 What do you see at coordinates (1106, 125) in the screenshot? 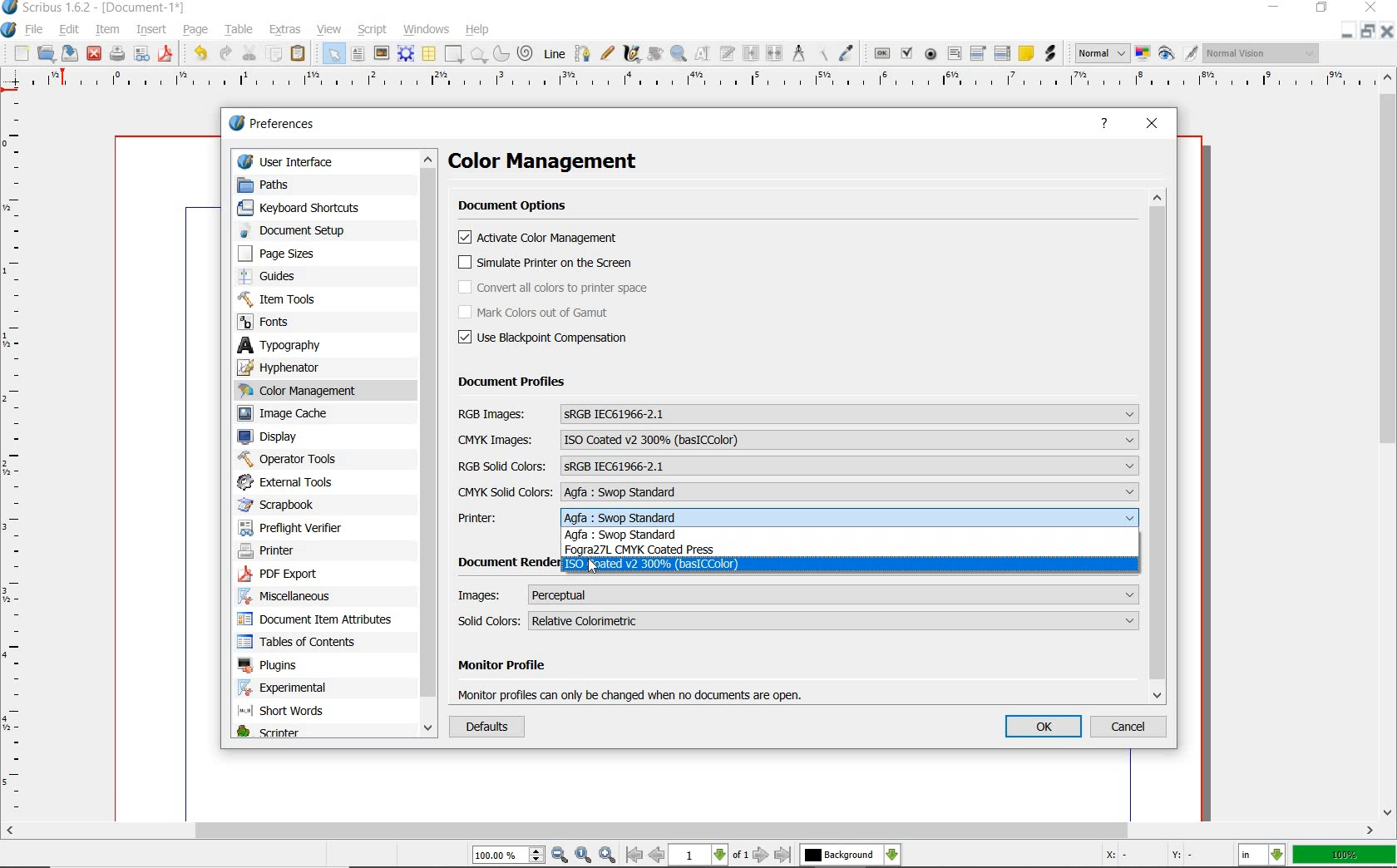
I see `HELP` at bounding box center [1106, 125].